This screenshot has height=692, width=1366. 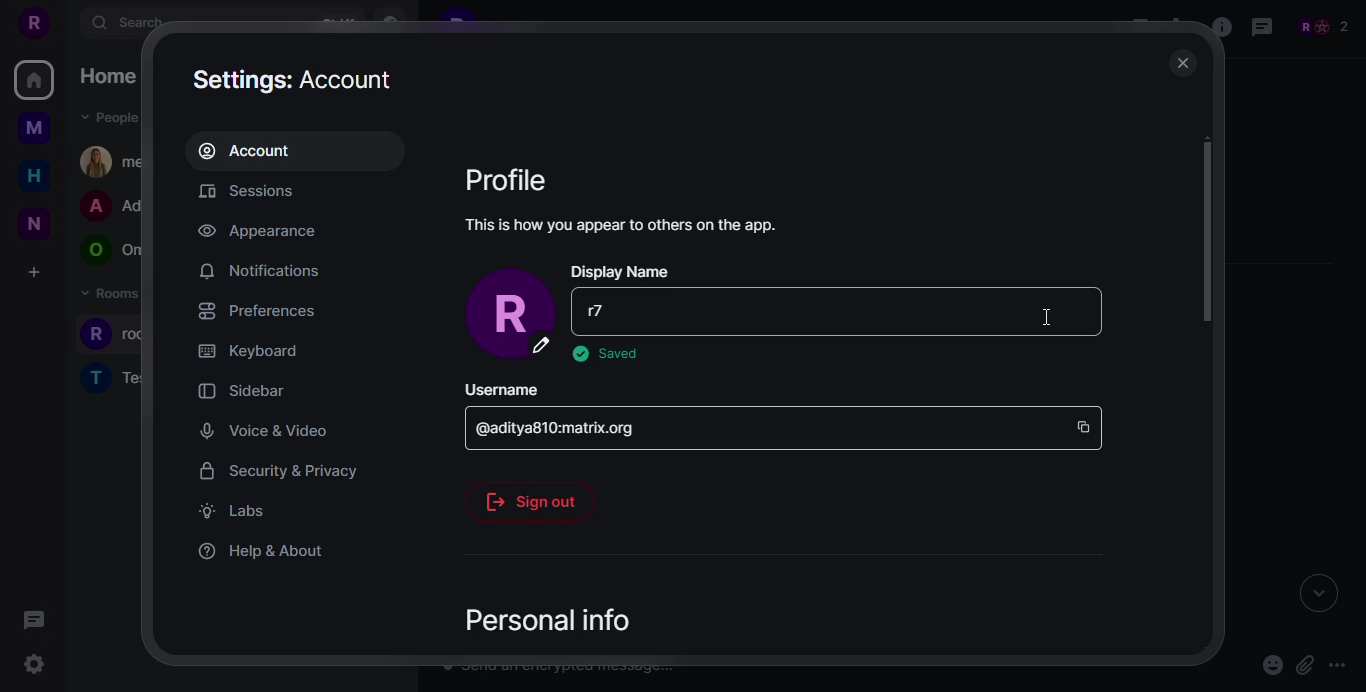 I want to click on Profile
This is how you appear to others on the app., so click(x=645, y=205).